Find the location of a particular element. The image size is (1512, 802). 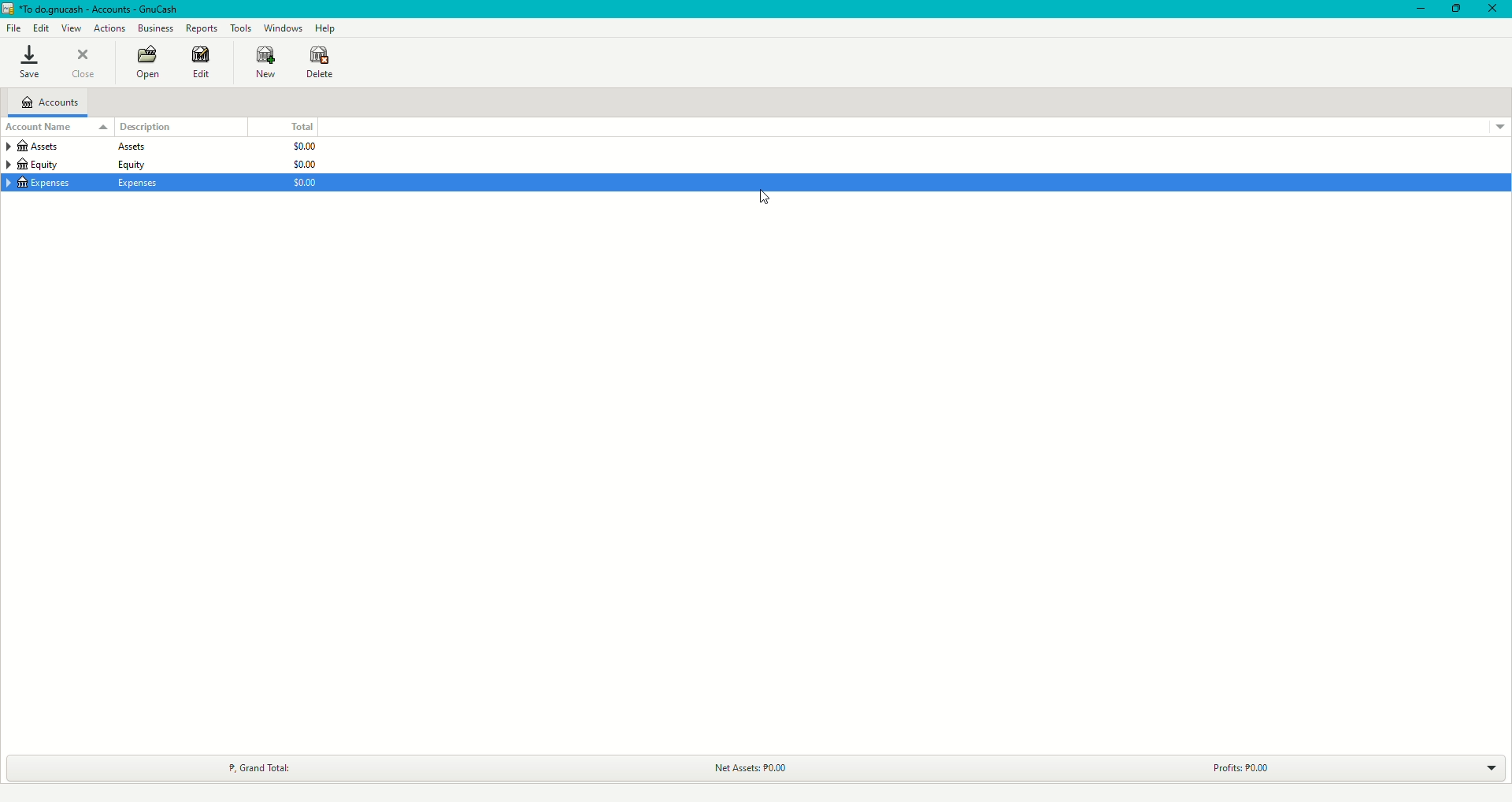

Help is located at coordinates (326, 28).